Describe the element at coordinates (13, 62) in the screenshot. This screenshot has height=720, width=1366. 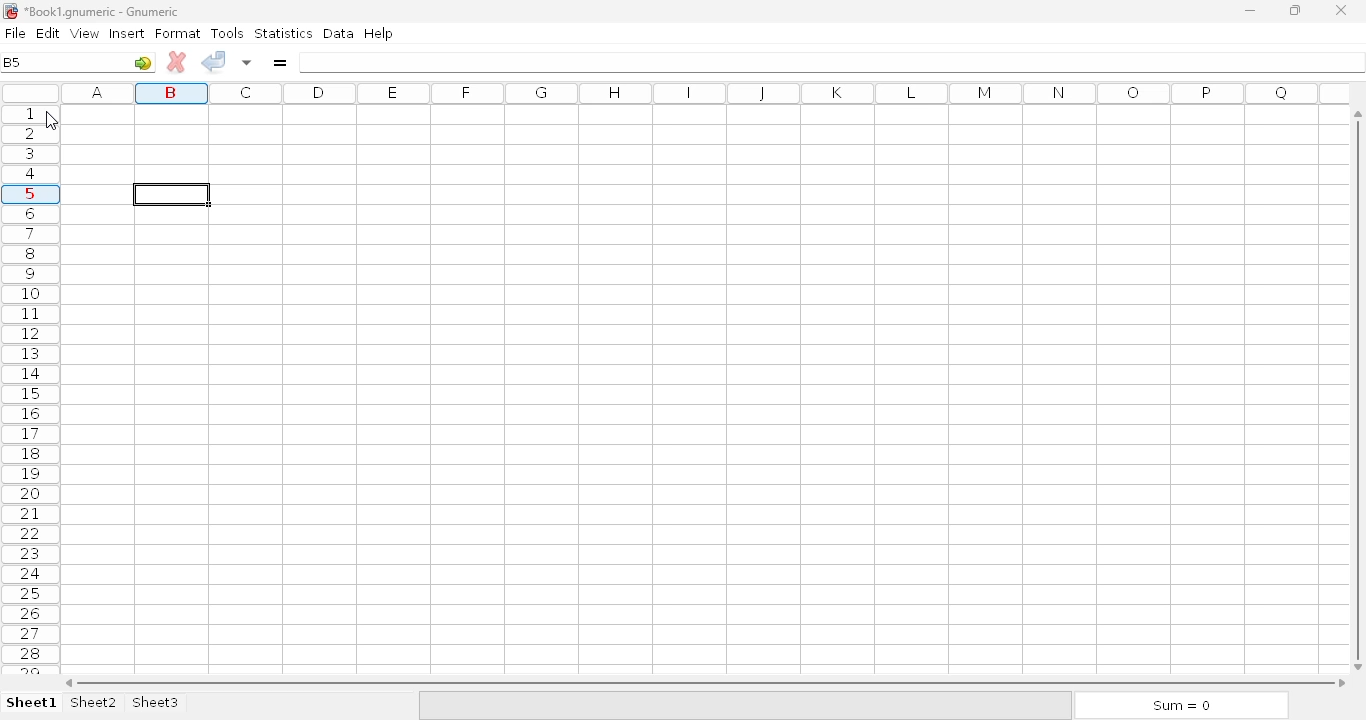
I see `B5` at that location.